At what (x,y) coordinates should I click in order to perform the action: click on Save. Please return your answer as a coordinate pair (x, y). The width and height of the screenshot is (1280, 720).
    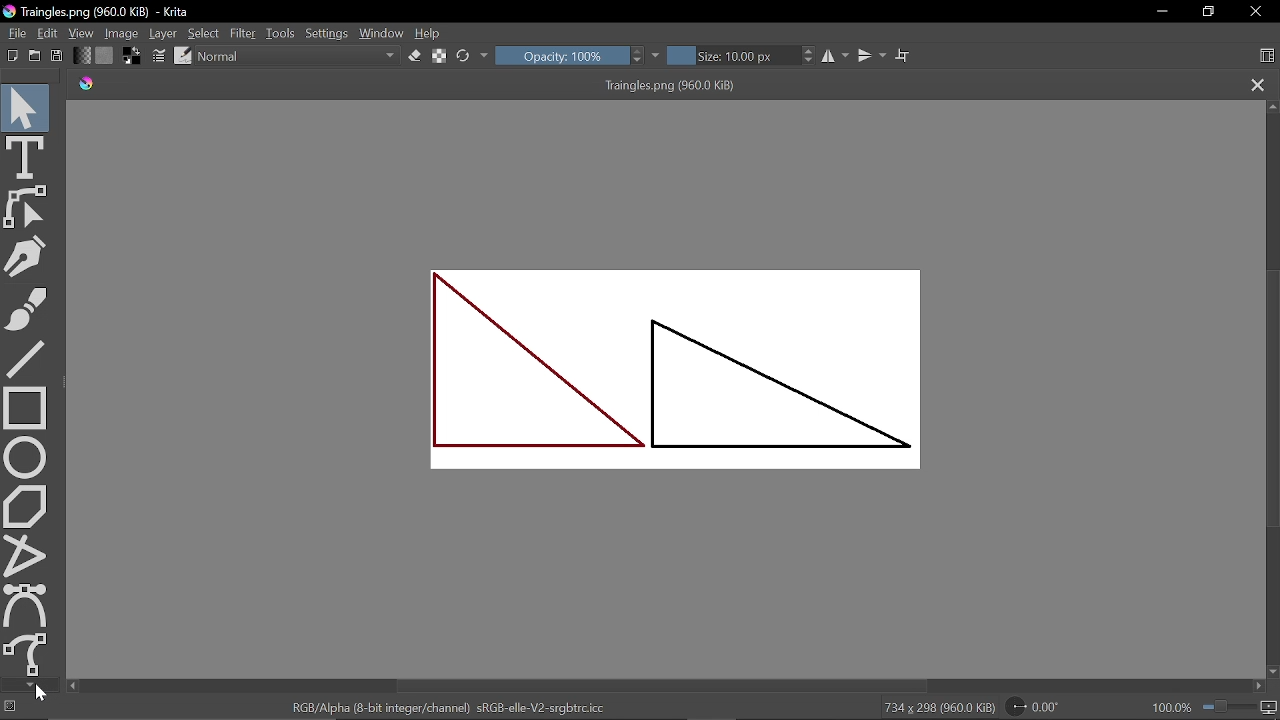
    Looking at the image, I should click on (58, 56).